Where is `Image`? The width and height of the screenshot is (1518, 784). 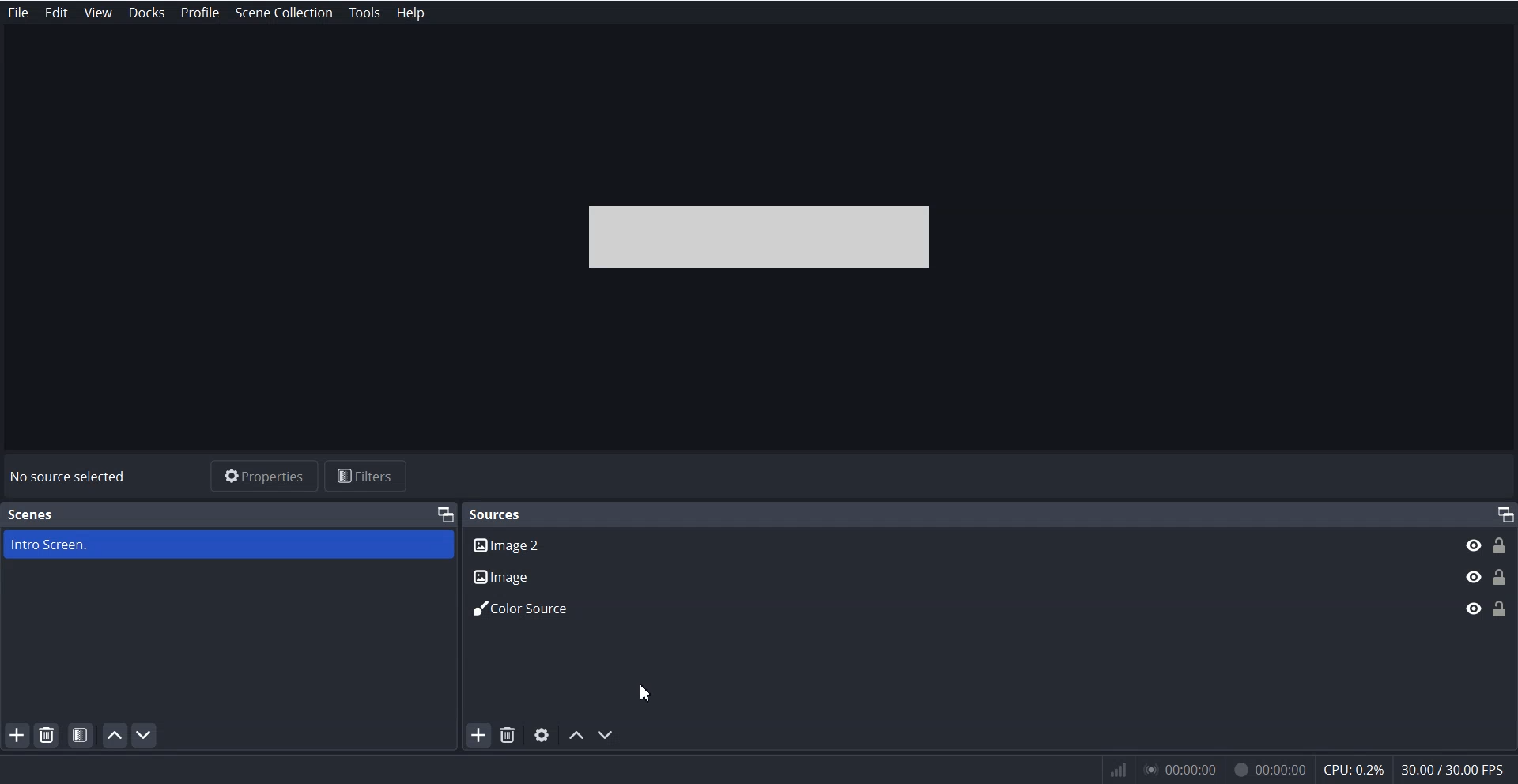 Image is located at coordinates (953, 574).